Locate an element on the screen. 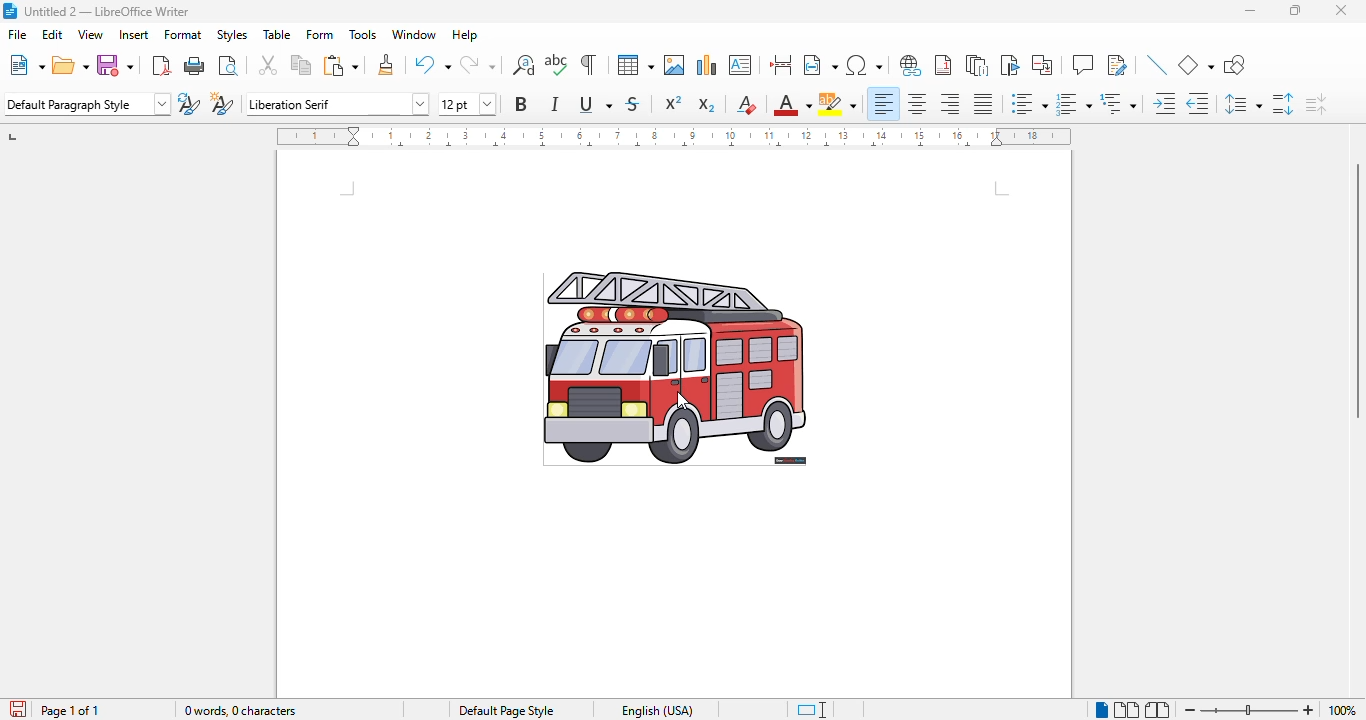  view is located at coordinates (90, 34).